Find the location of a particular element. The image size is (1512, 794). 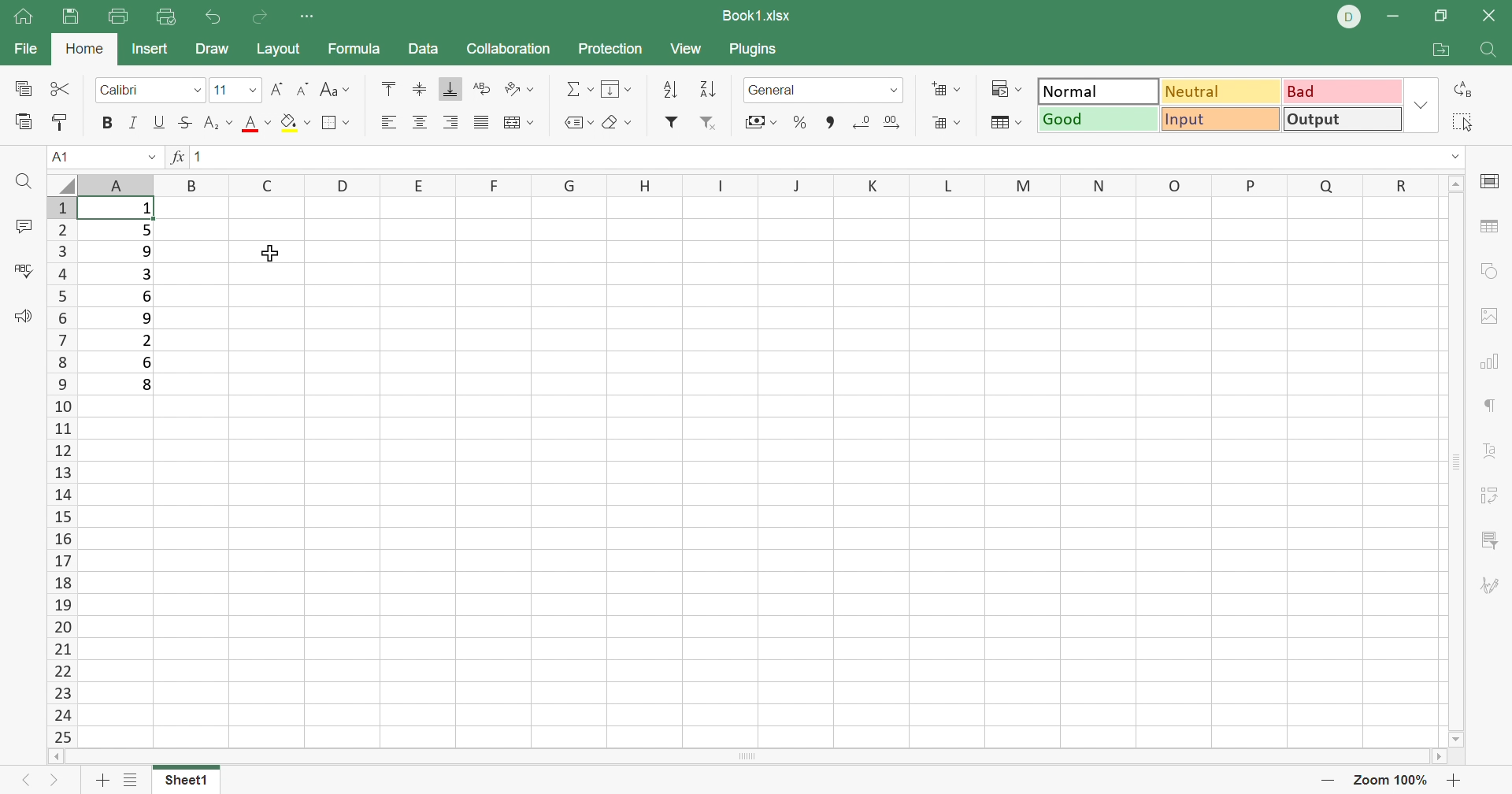

Table settings is located at coordinates (1486, 227).